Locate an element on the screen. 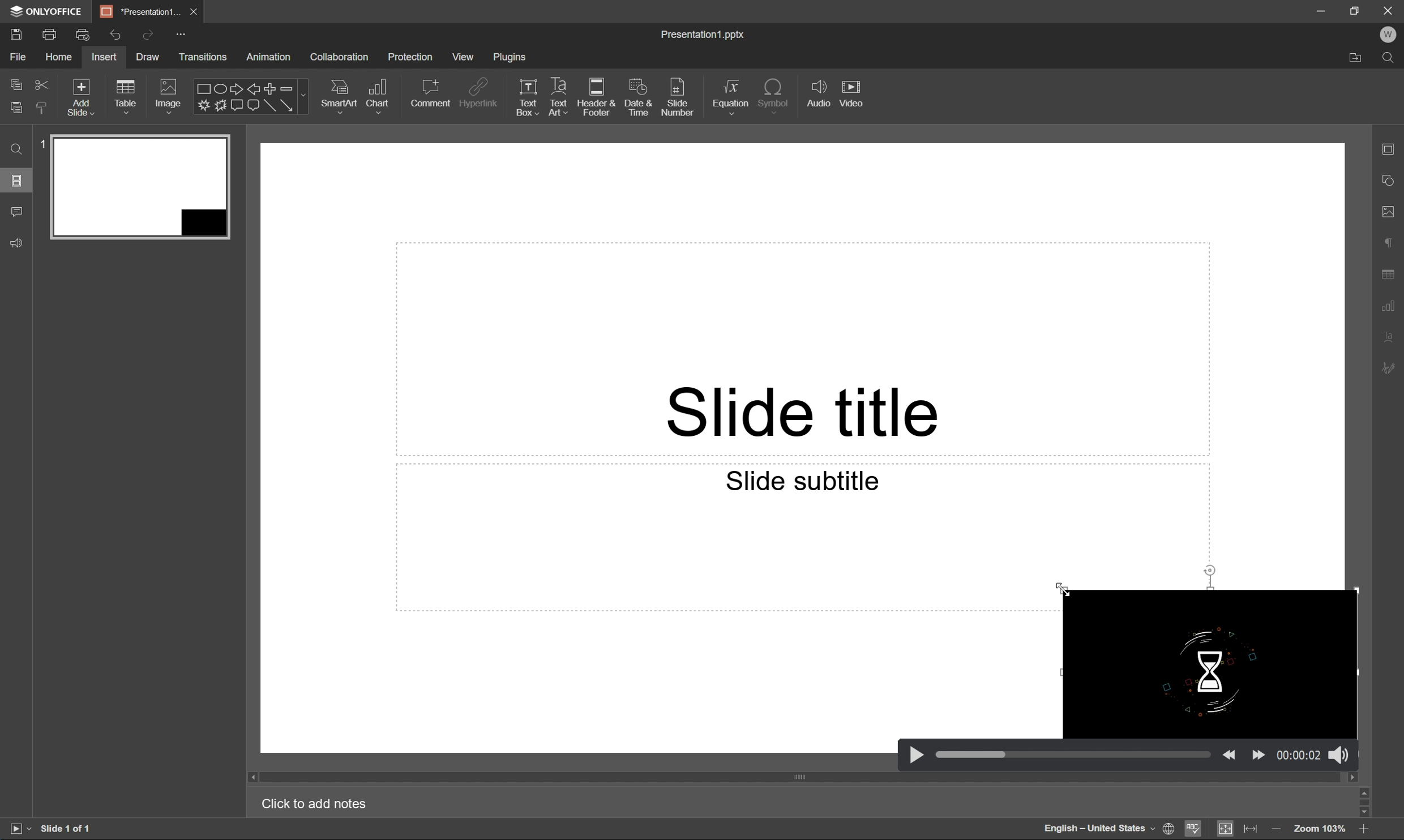 This screenshot has height=840, width=1404. chart settings is located at coordinates (1394, 304).